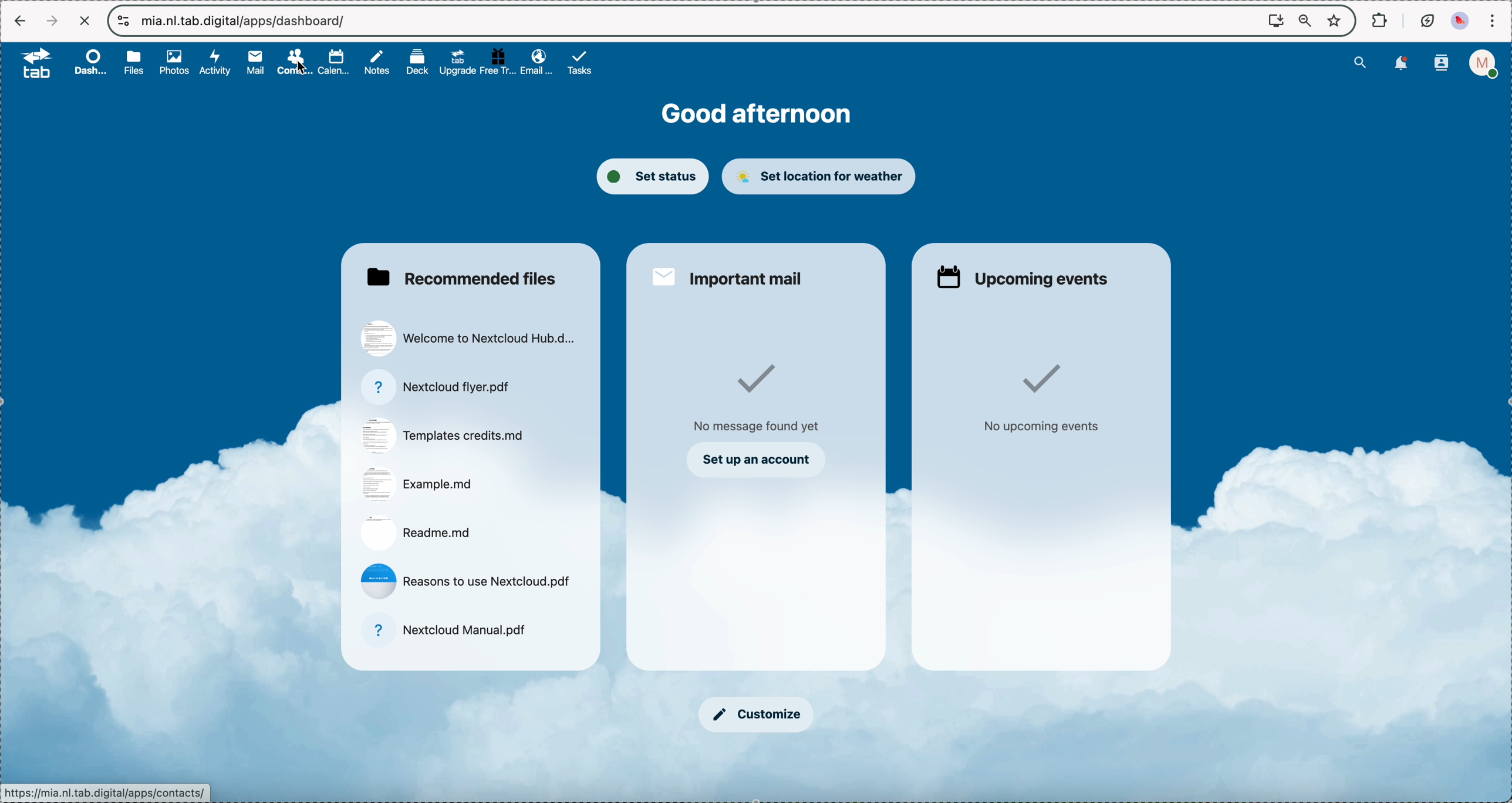 The width and height of the screenshot is (1512, 803). What do you see at coordinates (109, 792) in the screenshot?
I see `URL` at bounding box center [109, 792].